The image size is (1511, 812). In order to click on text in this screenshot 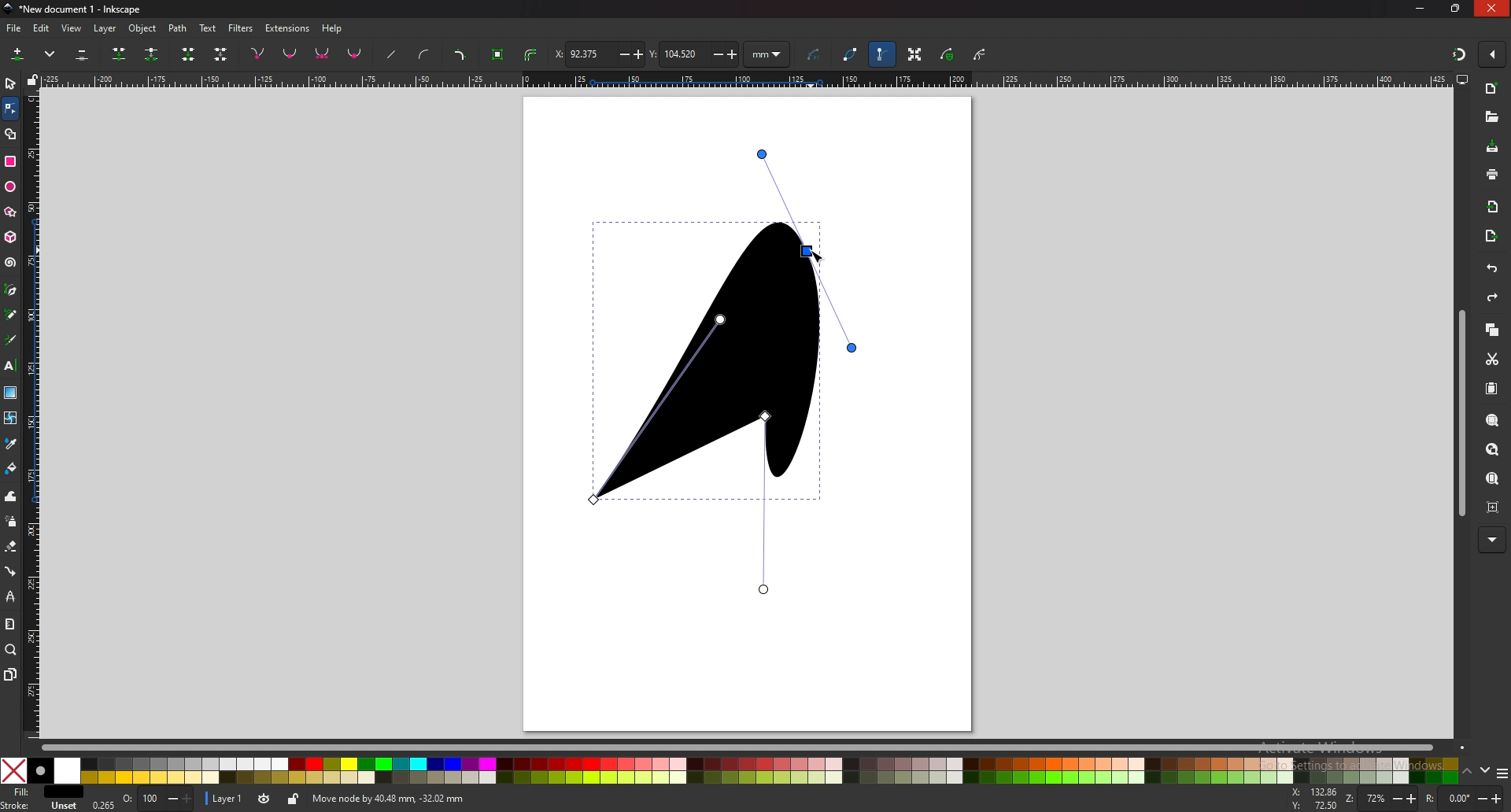, I will do `click(208, 28)`.